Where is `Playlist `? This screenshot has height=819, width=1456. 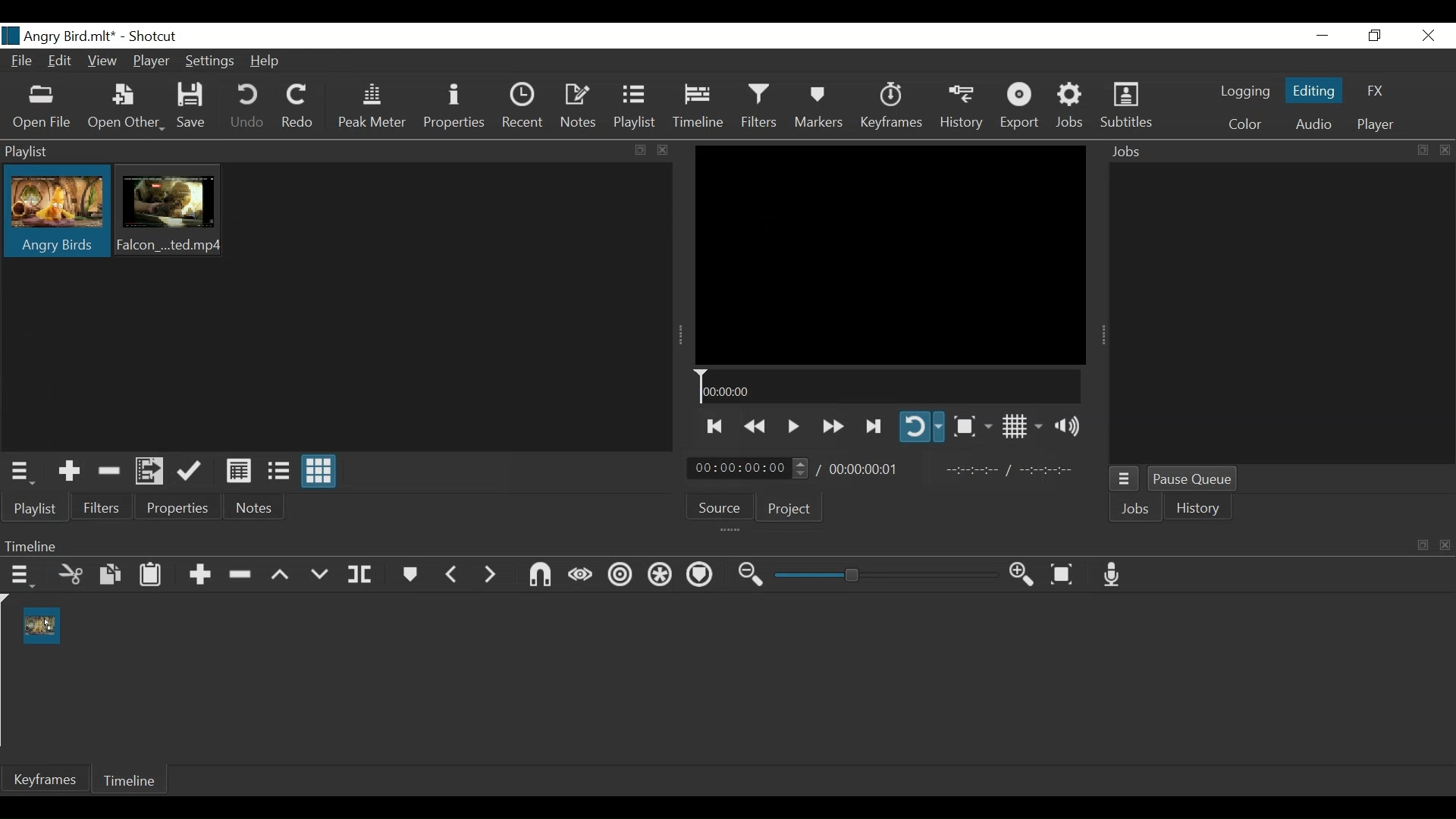
Playlist  is located at coordinates (34, 508).